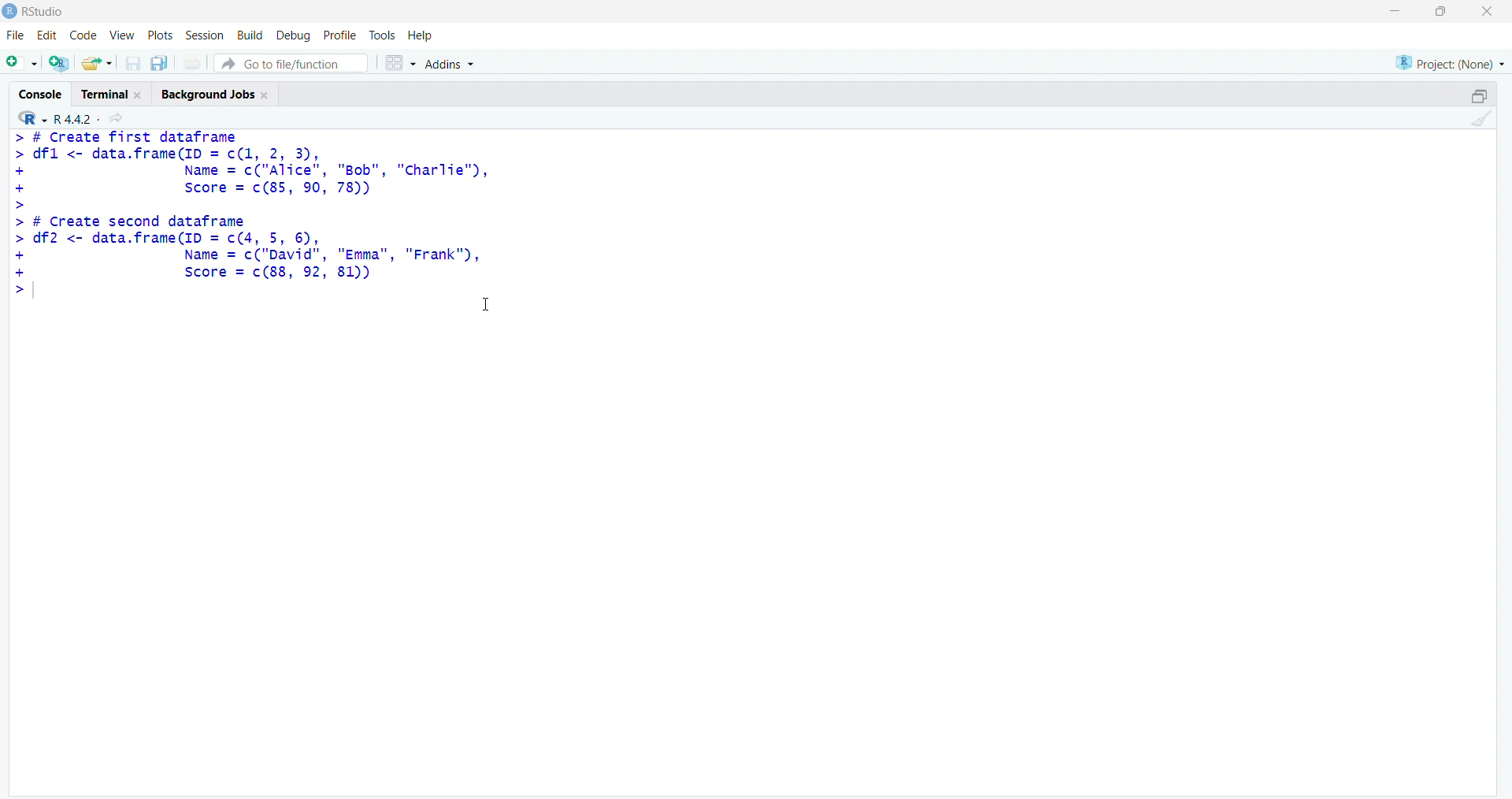  What do you see at coordinates (160, 64) in the screenshot?
I see `save all open document` at bounding box center [160, 64].